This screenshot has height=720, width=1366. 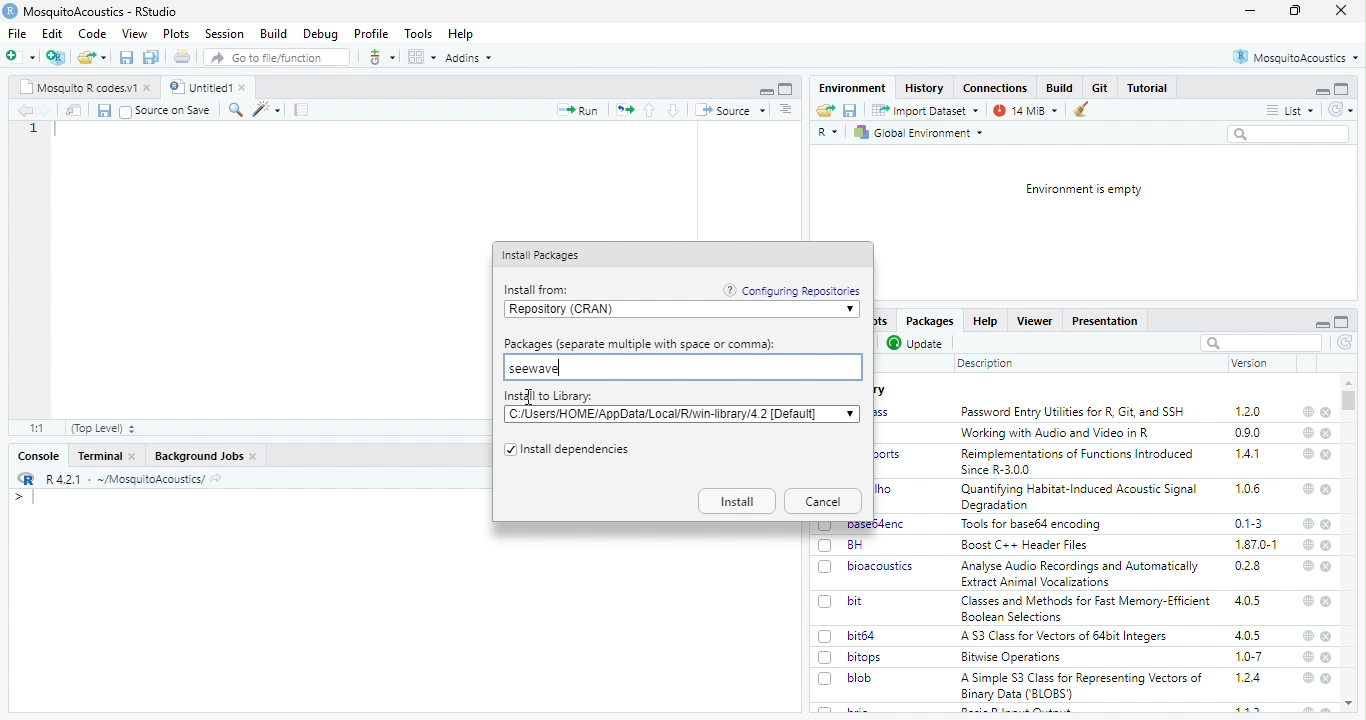 What do you see at coordinates (931, 321) in the screenshot?
I see `Packages` at bounding box center [931, 321].